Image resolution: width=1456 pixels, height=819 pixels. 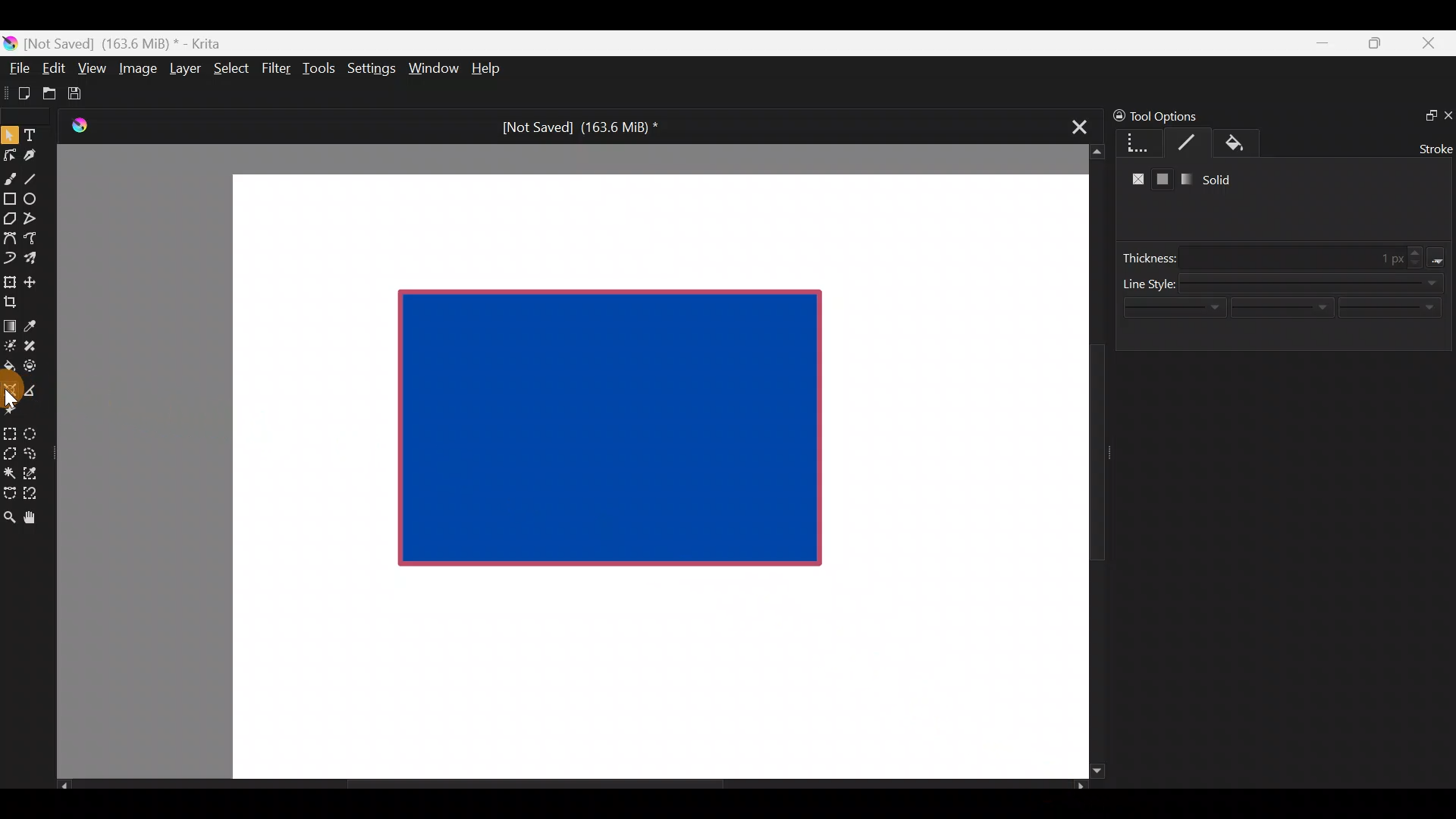 I want to click on Magnetic curve selection tool, so click(x=35, y=494).